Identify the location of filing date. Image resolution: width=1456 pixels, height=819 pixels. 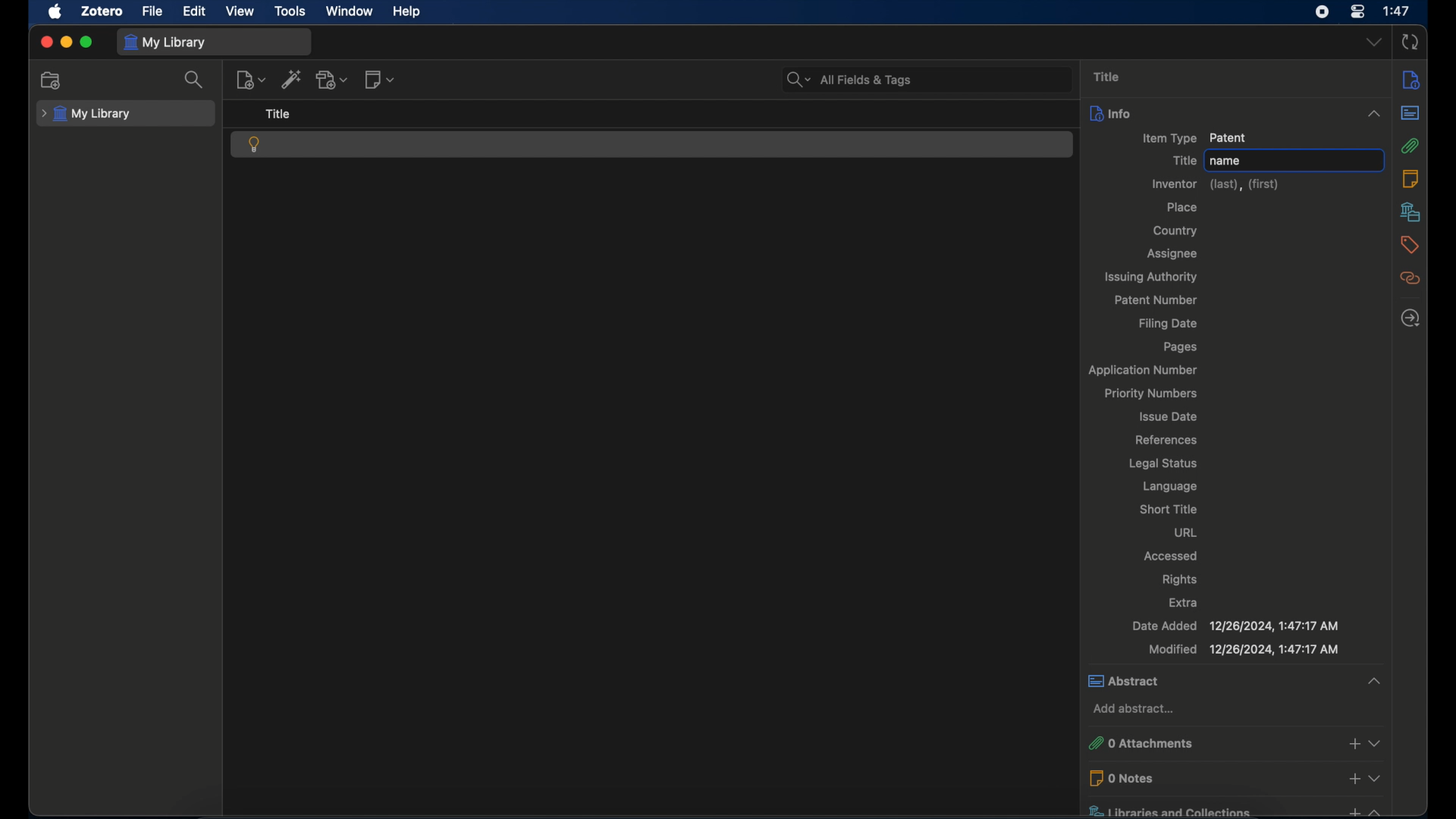
(1169, 325).